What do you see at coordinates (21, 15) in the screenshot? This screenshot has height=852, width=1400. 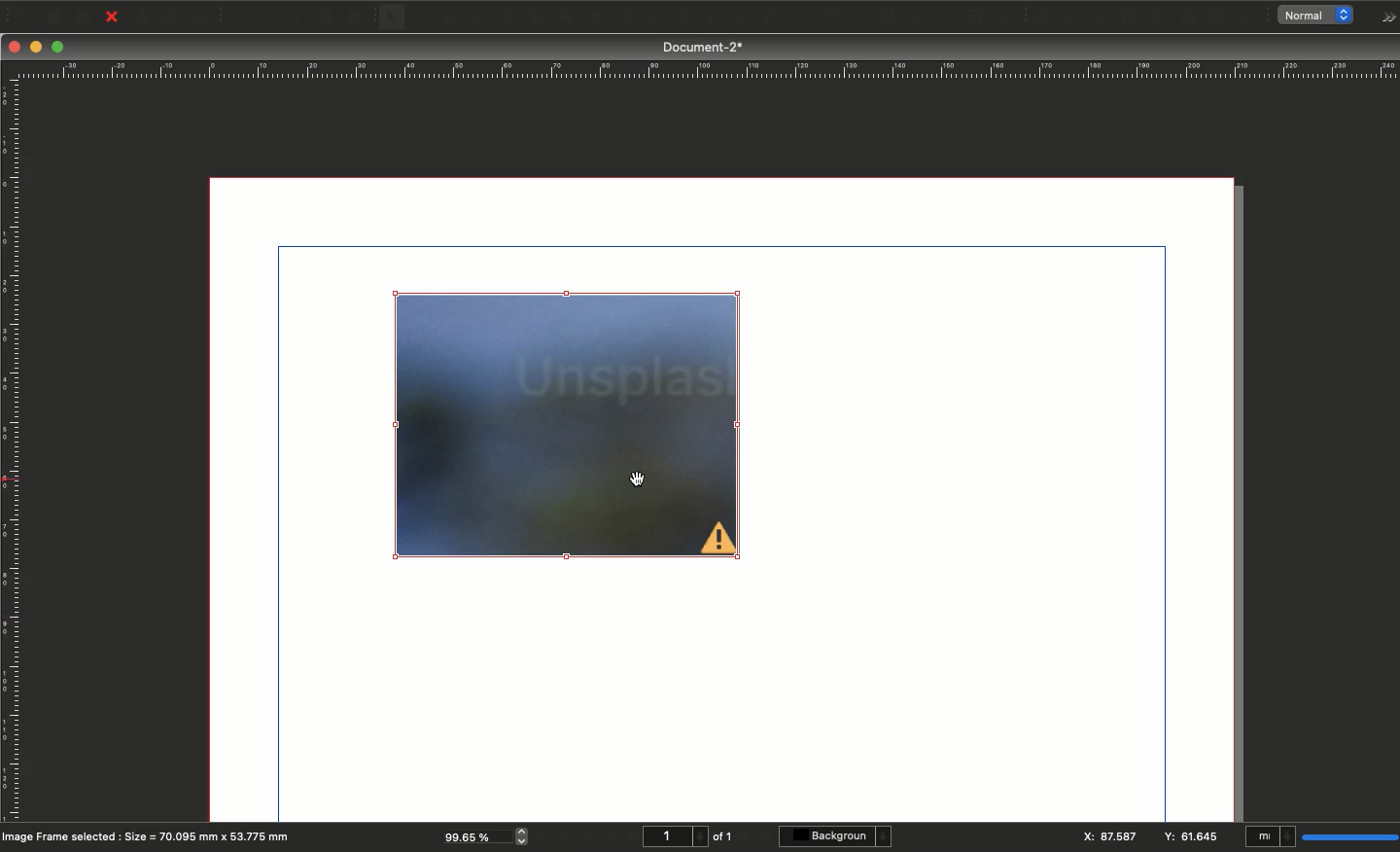 I see `New` at bounding box center [21, 15].